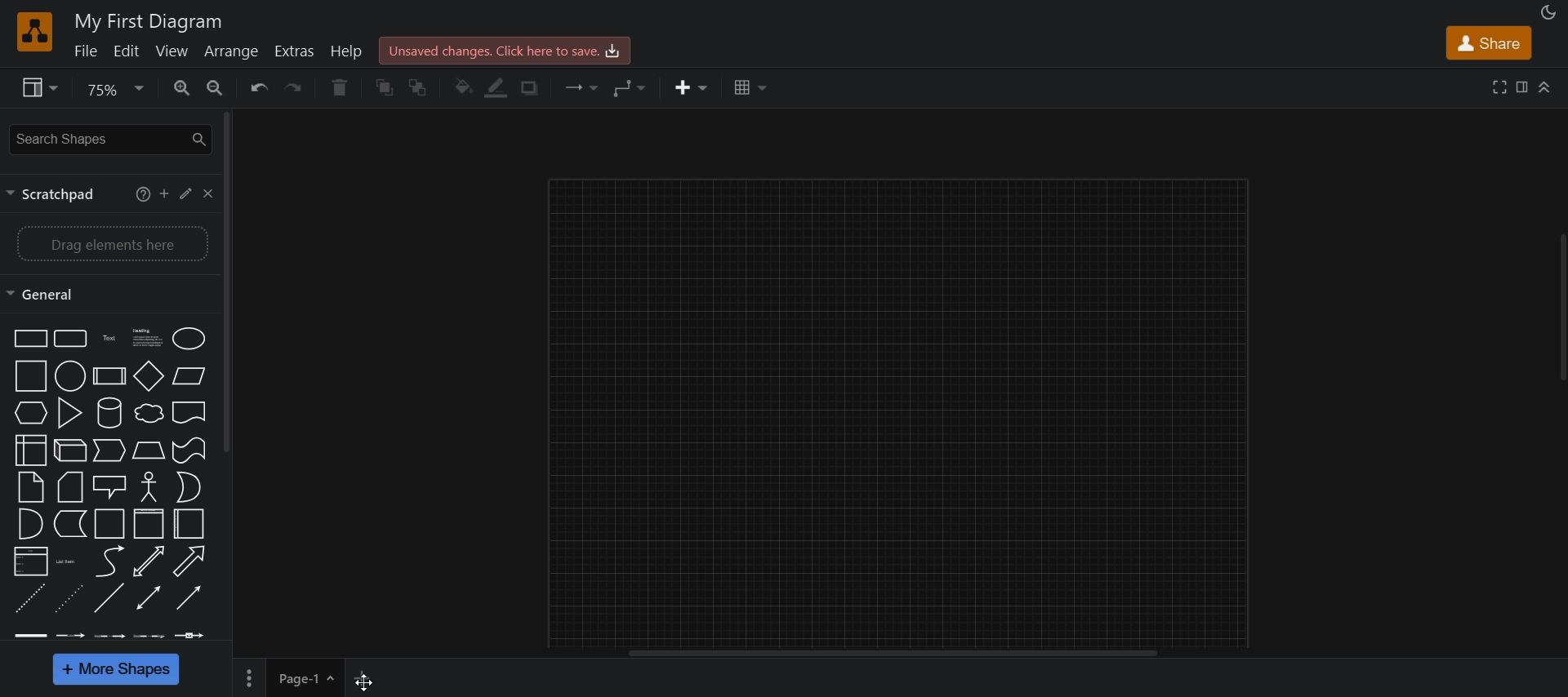  Describe the element at coordinates (239, 51) in the screenshot. I see `arrange` at that location.